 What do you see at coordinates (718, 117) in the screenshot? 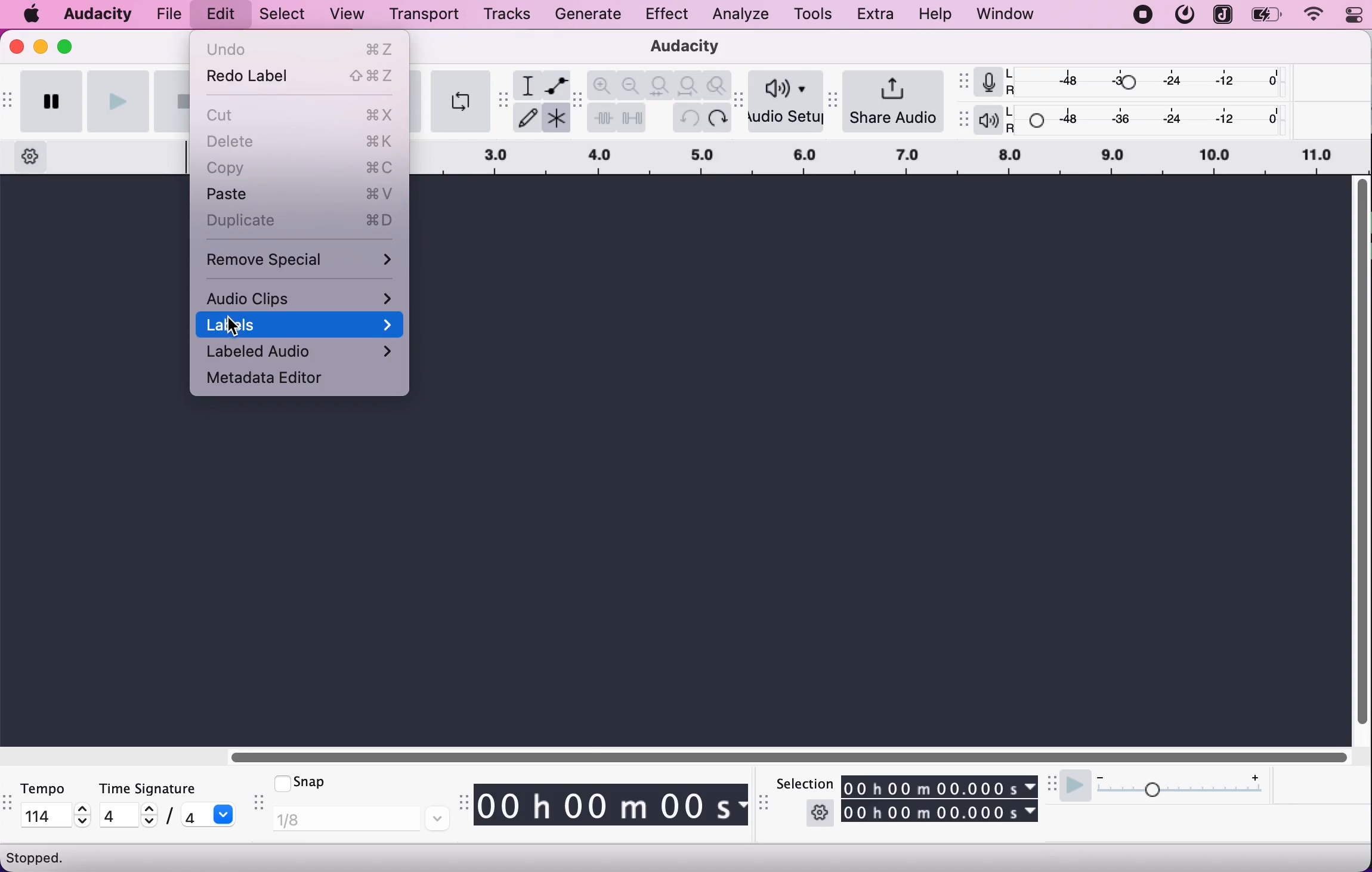
I see `redo` at bounding box center [718, 117].